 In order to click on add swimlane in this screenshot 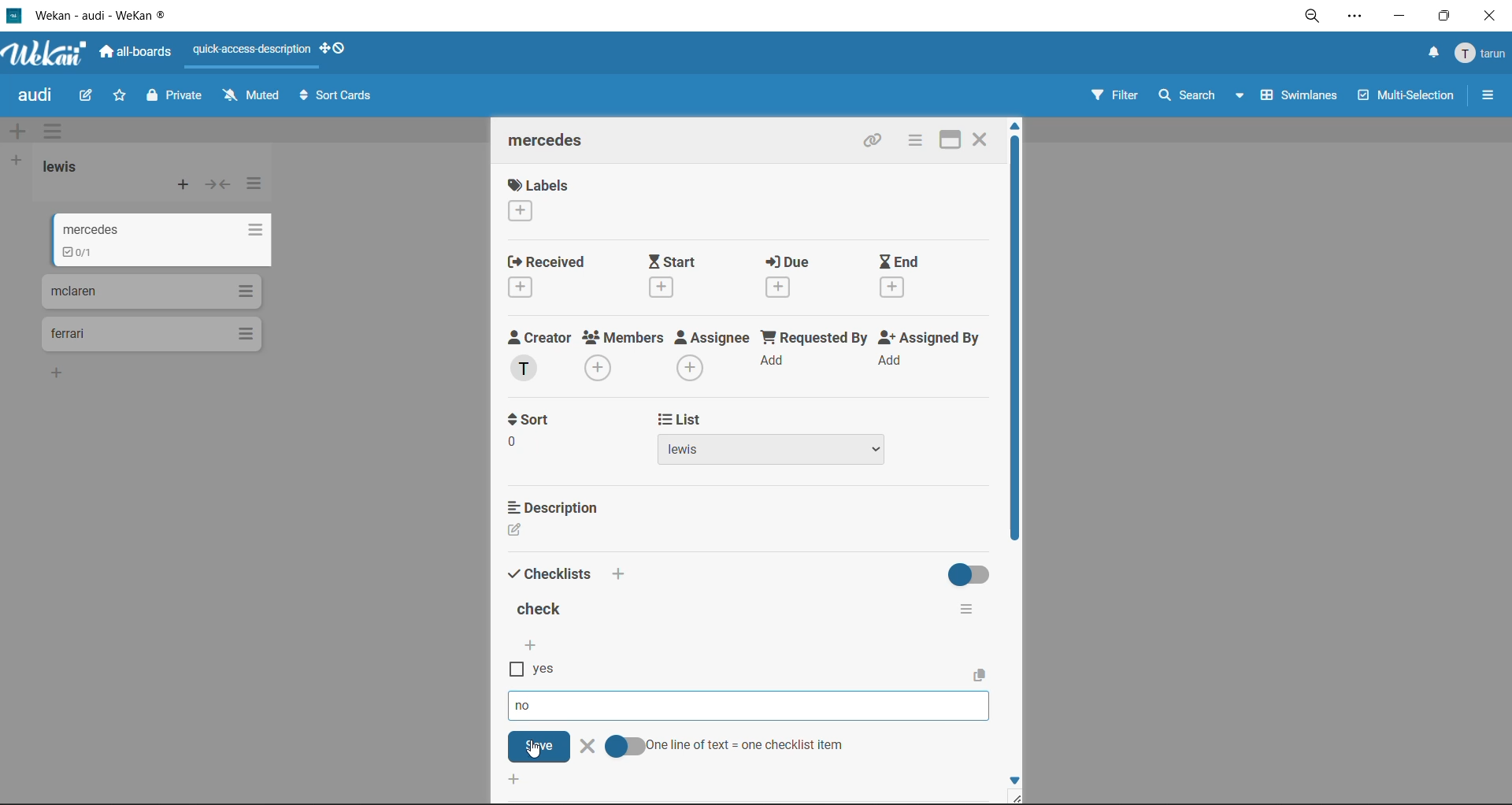, I will do `click(17, 132)`.